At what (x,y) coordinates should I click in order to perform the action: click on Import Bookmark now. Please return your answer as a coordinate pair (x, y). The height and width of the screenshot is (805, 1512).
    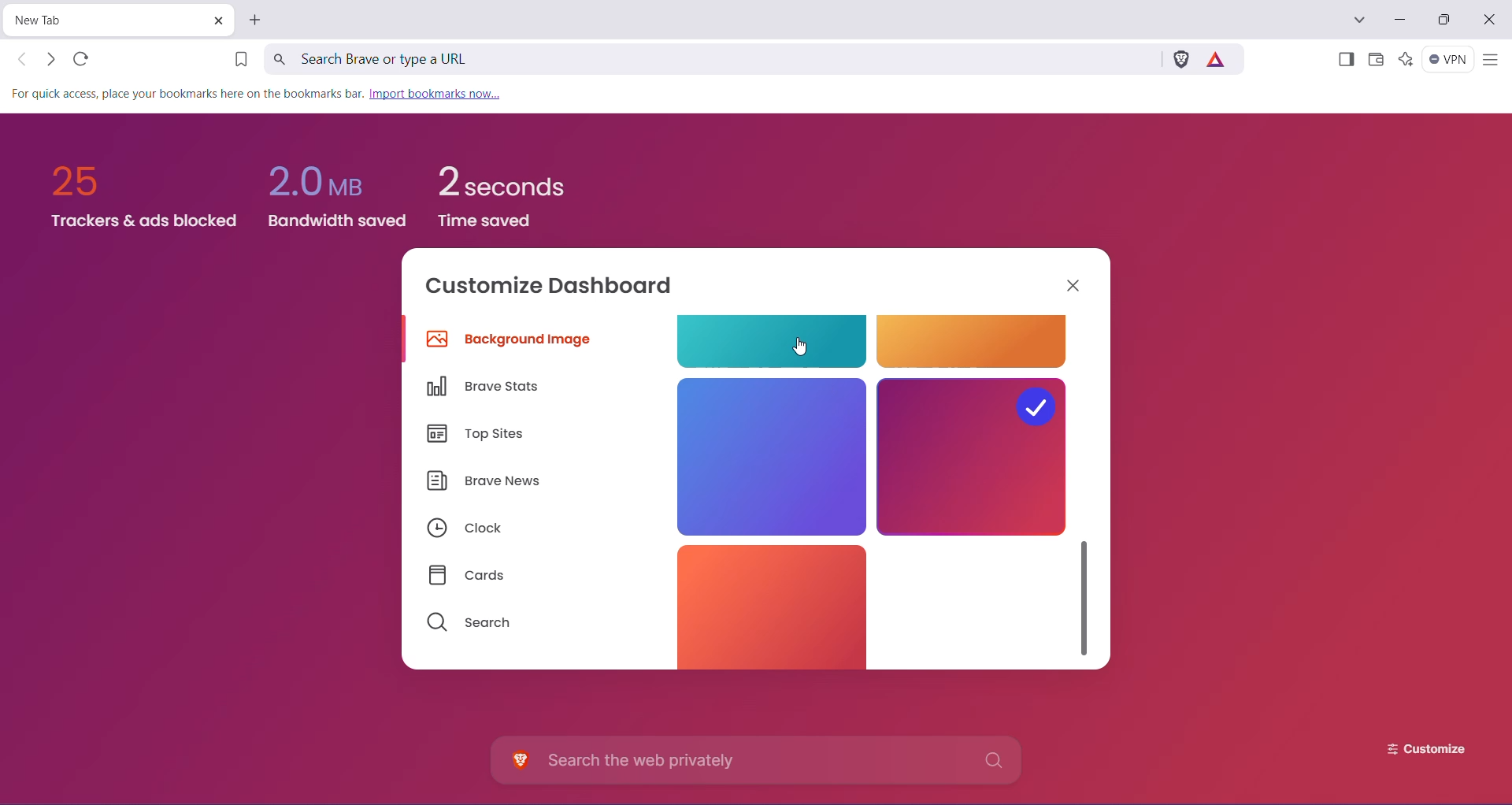
    Looking at the image, I should click on (440, 95).